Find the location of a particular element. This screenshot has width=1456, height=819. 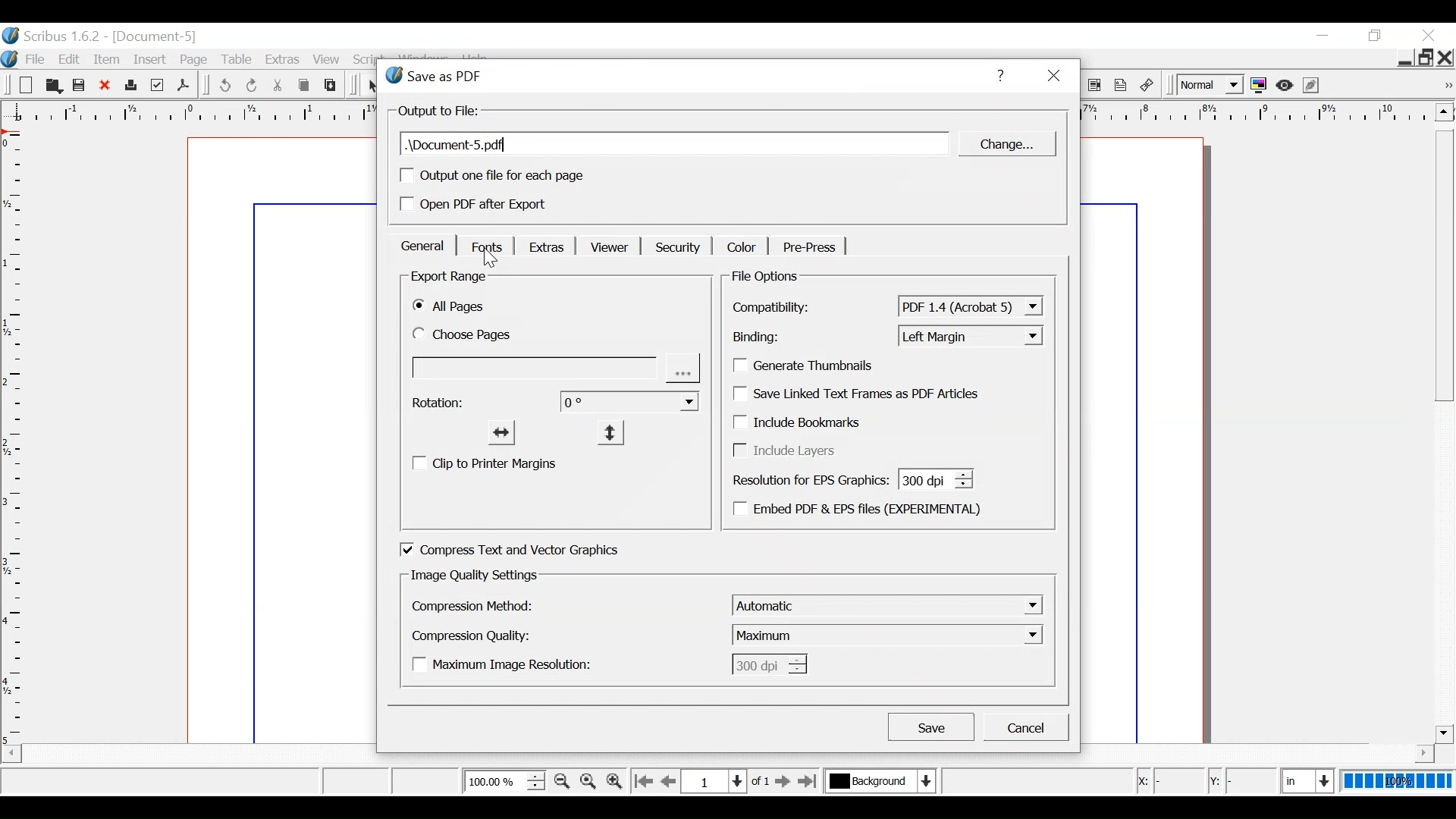

Vertical Scroll bar is located at coordinates (1444, 436).